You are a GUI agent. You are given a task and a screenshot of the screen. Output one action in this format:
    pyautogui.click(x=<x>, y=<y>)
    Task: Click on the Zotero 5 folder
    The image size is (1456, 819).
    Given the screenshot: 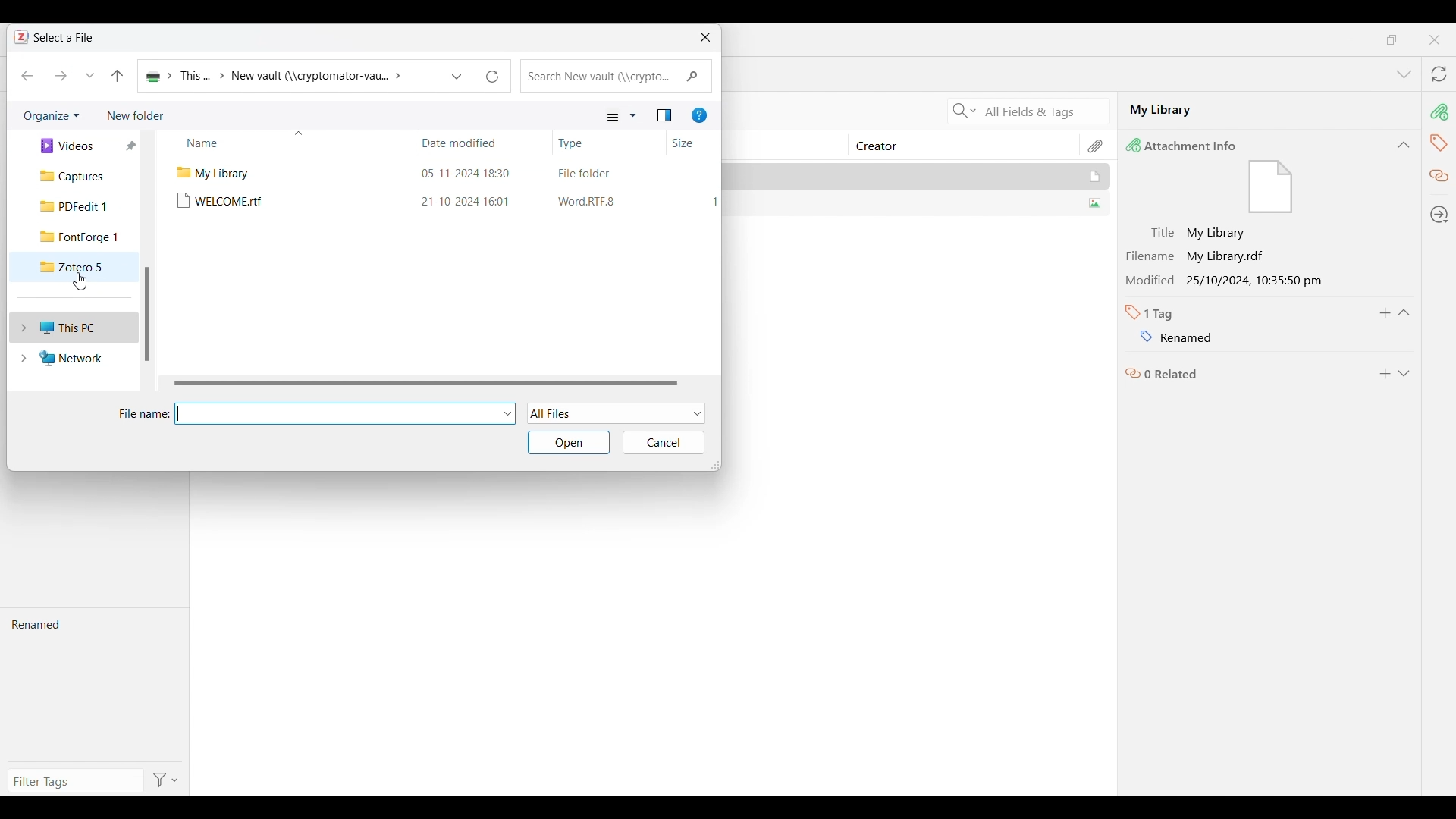 What is the action you would take?
    pyautogui.click(x=77, y=268)
    